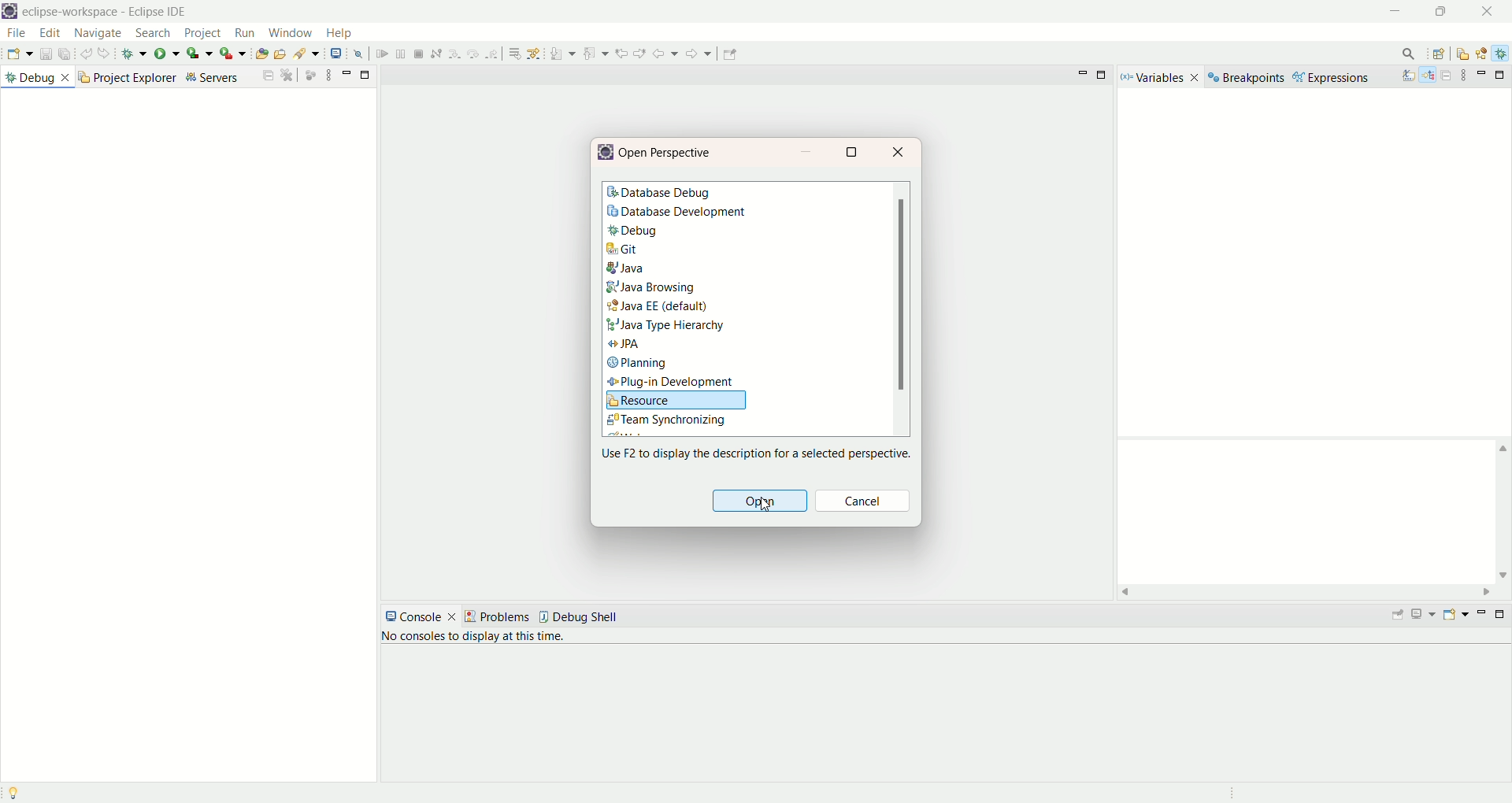 This screenshot has height=803, width=1512. Describe the element at coordinates (661, 194) in the screenshot. I see `database debug` at that location.